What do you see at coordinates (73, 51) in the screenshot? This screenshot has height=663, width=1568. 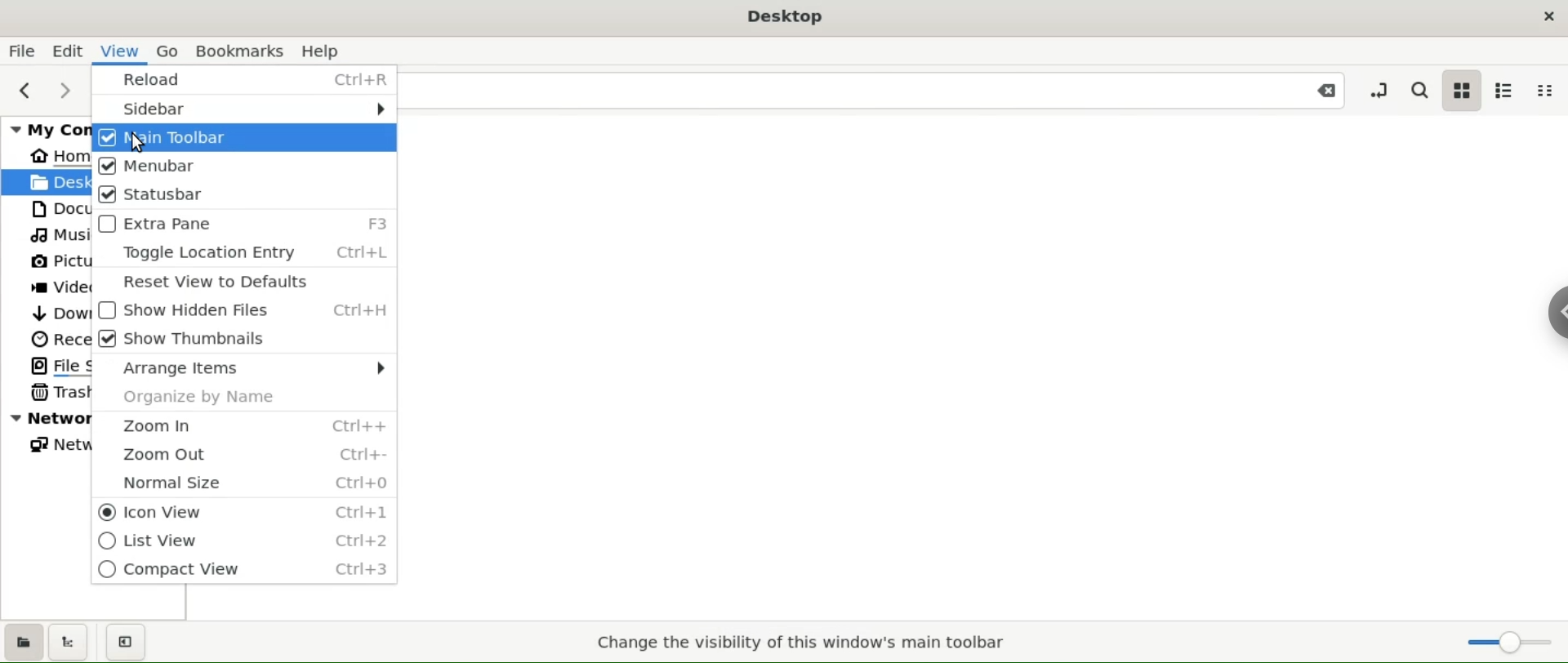 I see `edit` at bounding box center [73, 51].